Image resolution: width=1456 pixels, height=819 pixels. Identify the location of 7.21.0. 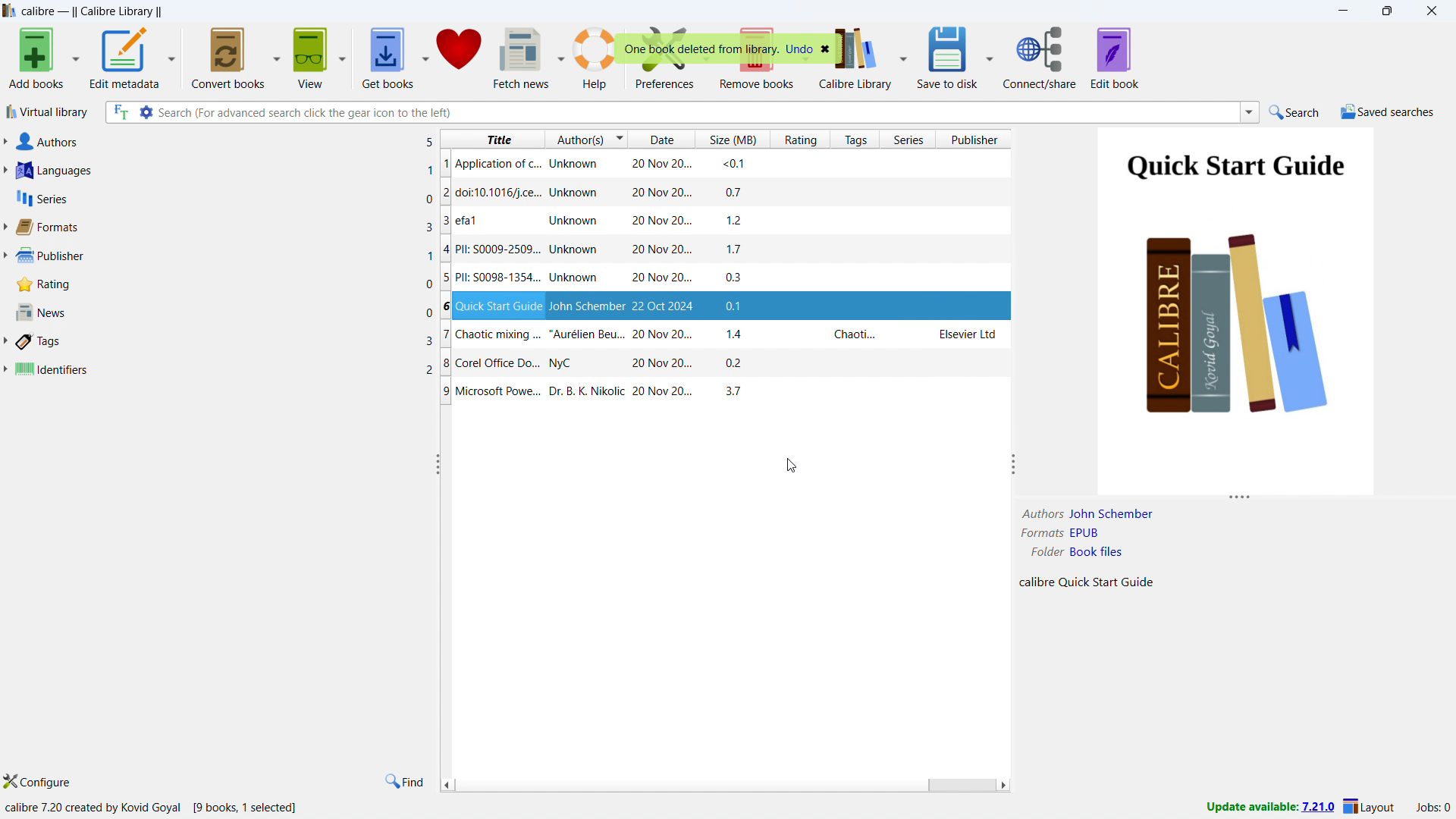
(1318, 808).